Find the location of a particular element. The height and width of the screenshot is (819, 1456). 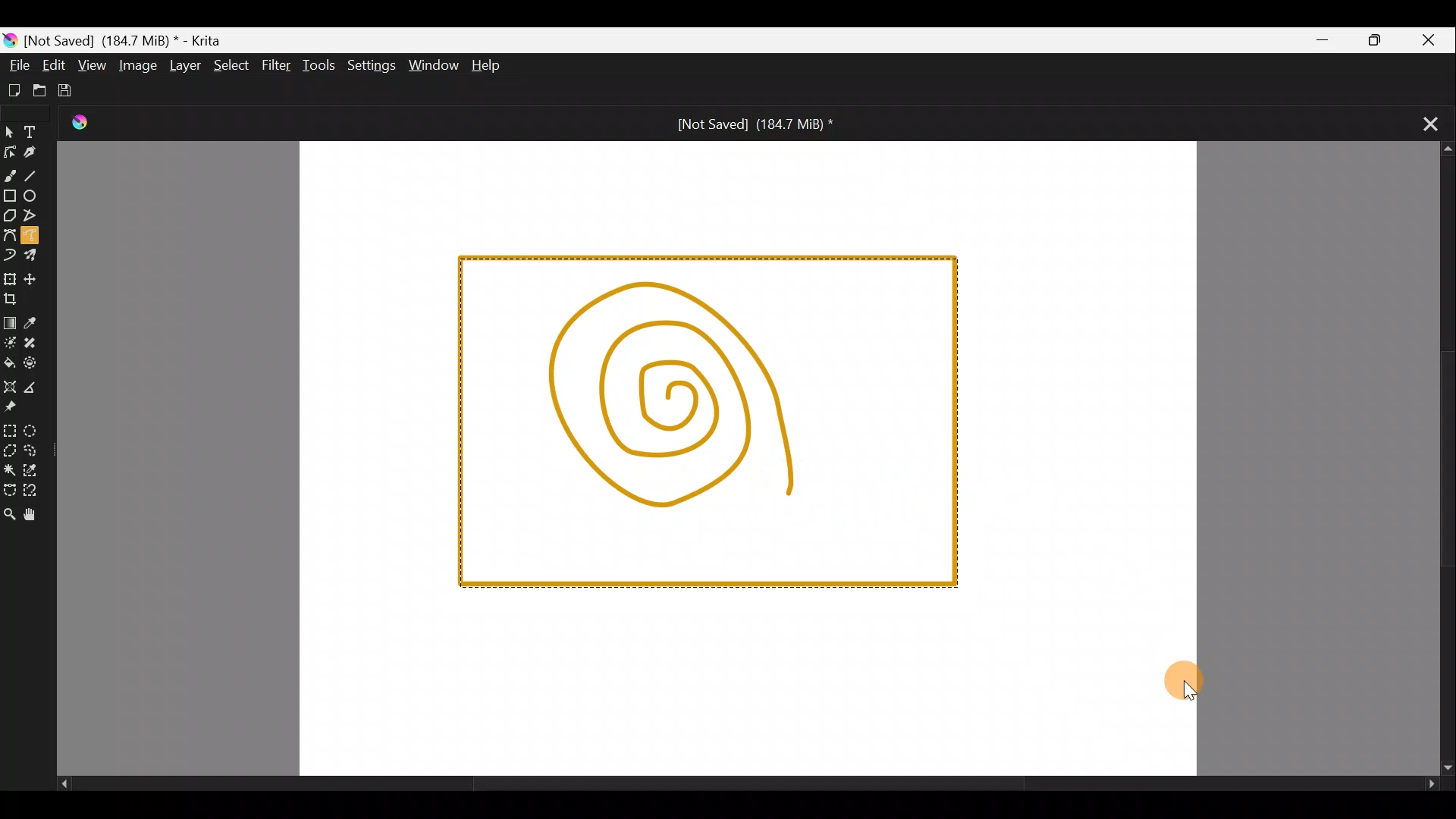

Settings is located at coordinates (370, 64).